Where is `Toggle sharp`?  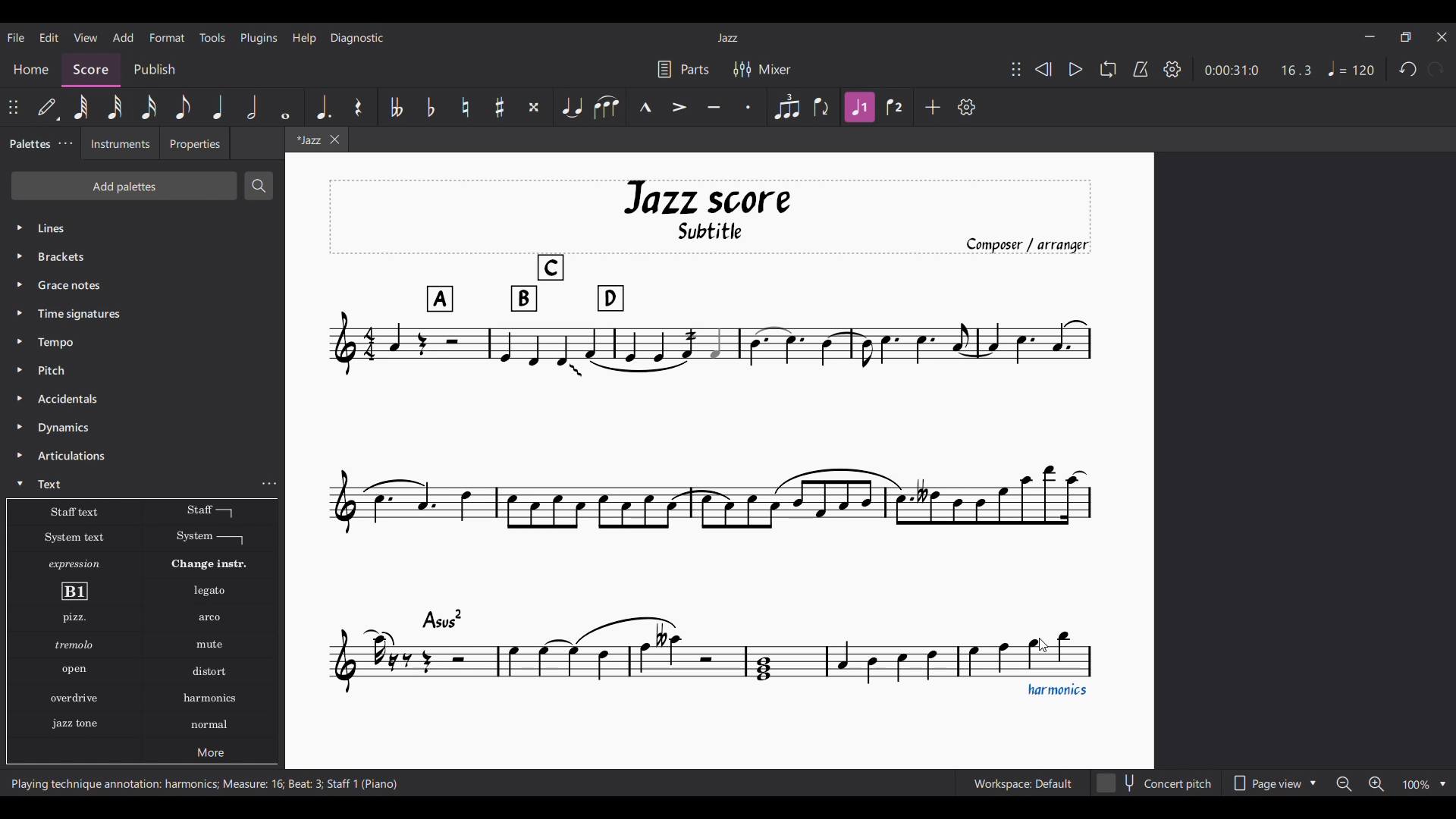
Toggle sharp is located at coordinates (500, 106).